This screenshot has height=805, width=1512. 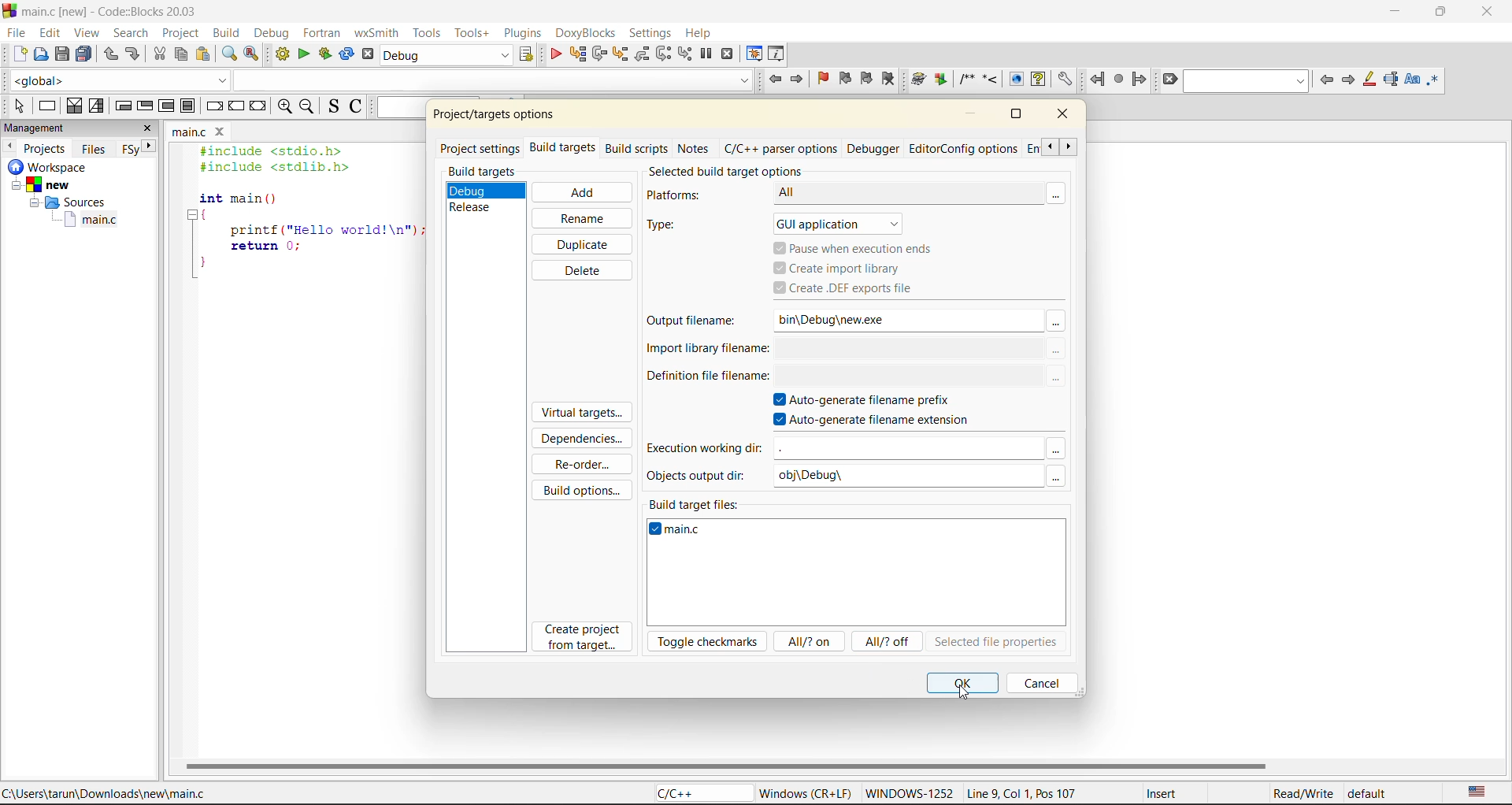 I want to click on toggle source, so click(x=335, y=107).